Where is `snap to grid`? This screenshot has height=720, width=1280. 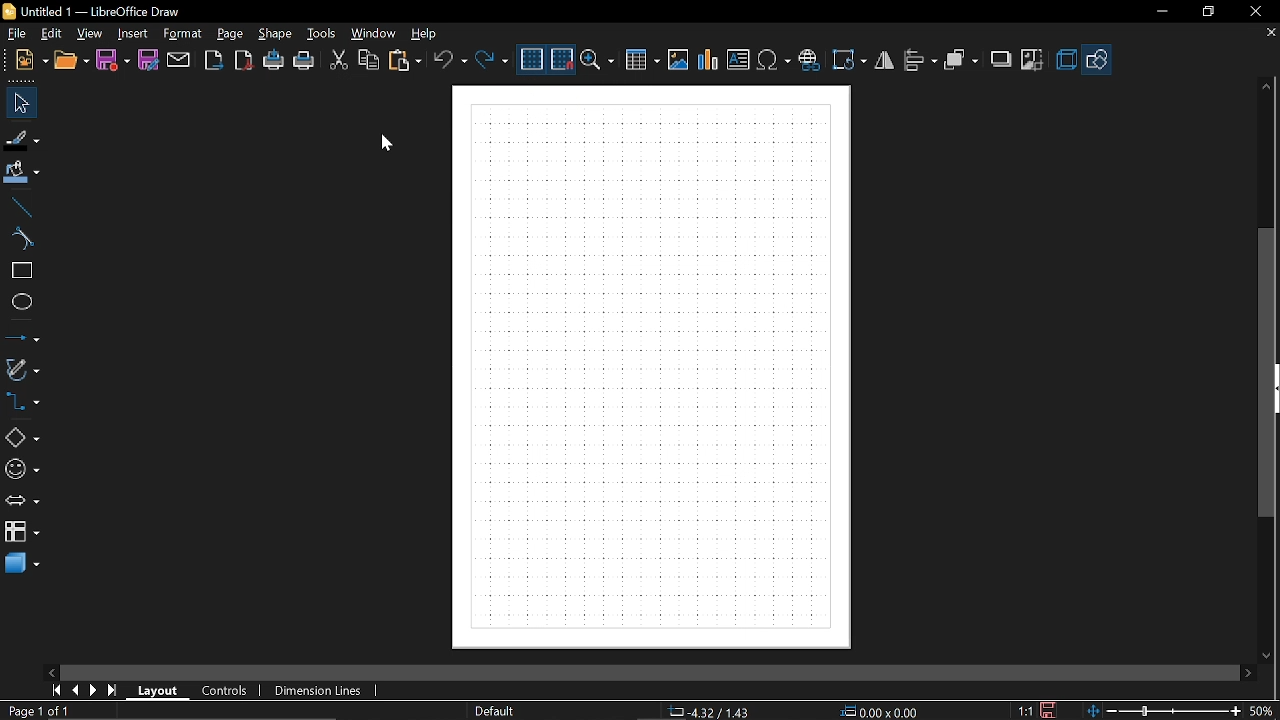
snap to grid is located at coordinates (563, 60).